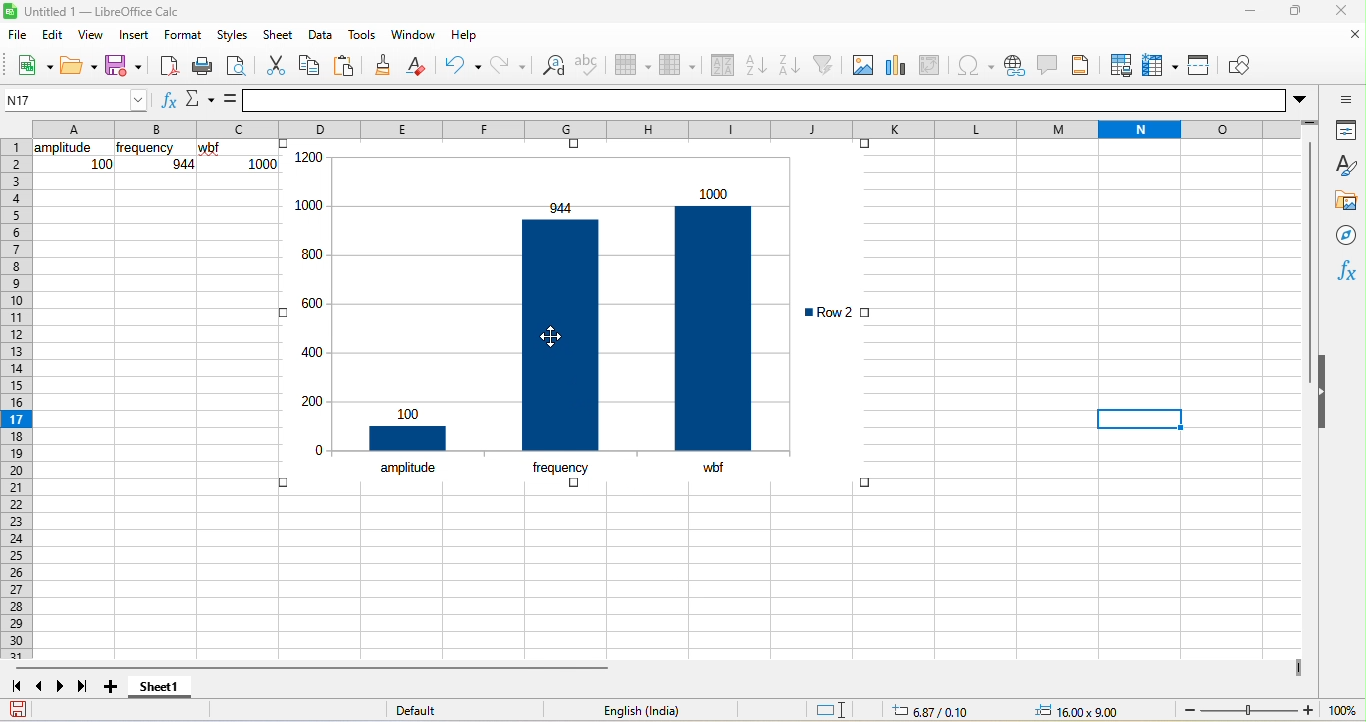 This screenshot has height=722, width=1366. What do you see at coordinates (198, 101) in the screenshot?
I see `select function` at bounding box center [198, 101].